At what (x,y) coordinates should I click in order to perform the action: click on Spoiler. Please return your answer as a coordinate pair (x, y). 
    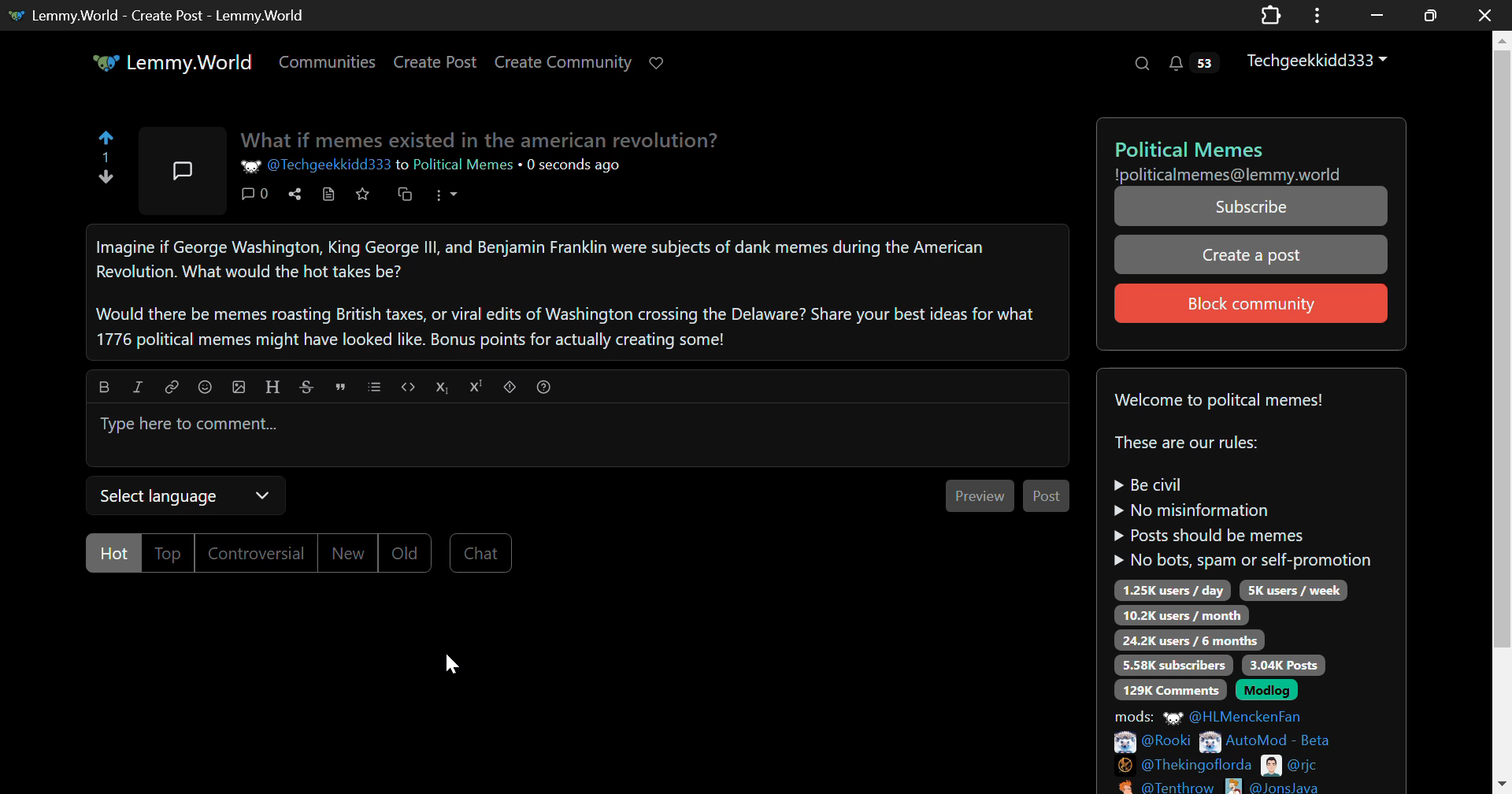
    Looking at the image, I should click on (510, 388).